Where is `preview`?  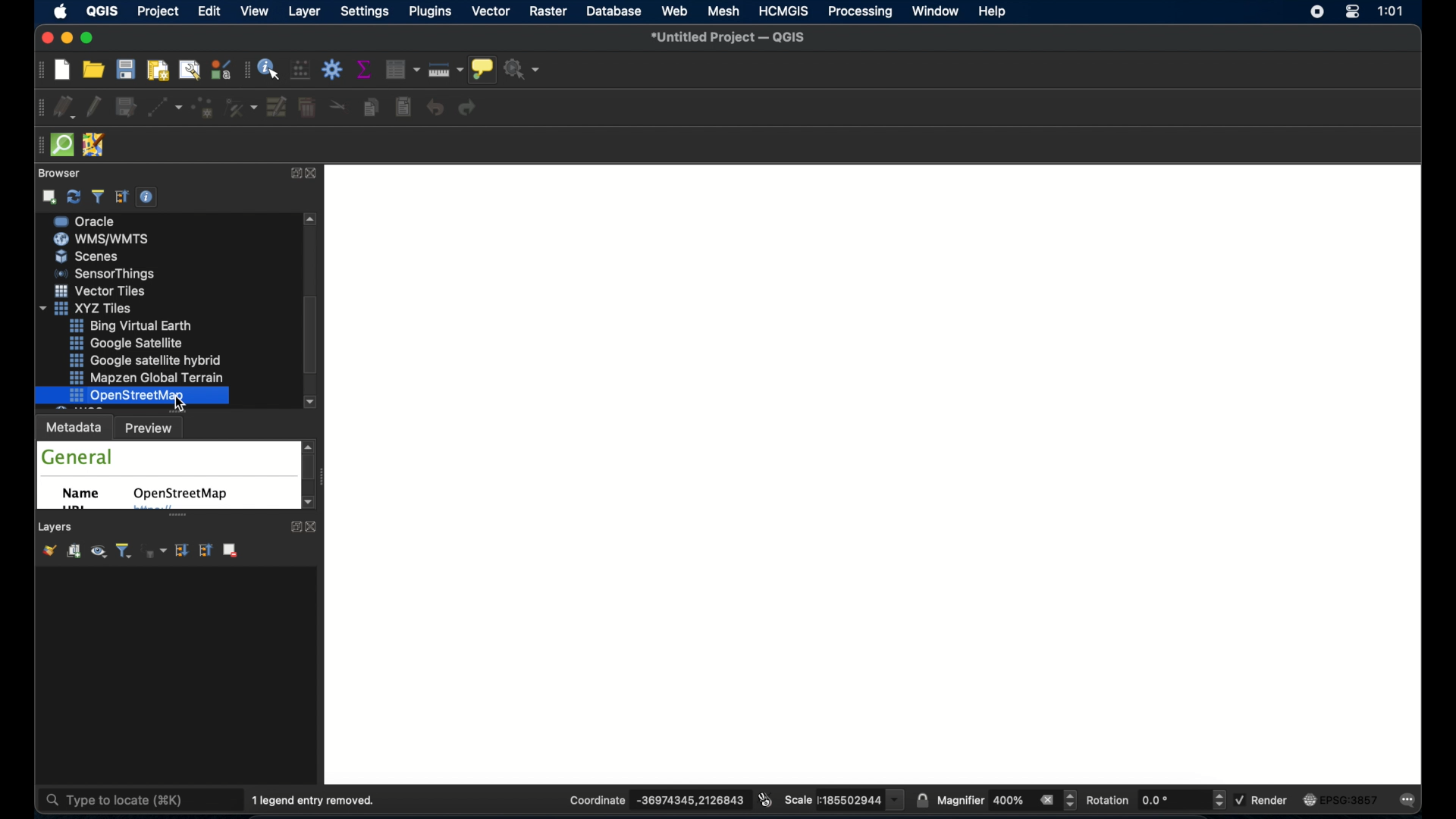 preview is located at coordinates (152, 429).